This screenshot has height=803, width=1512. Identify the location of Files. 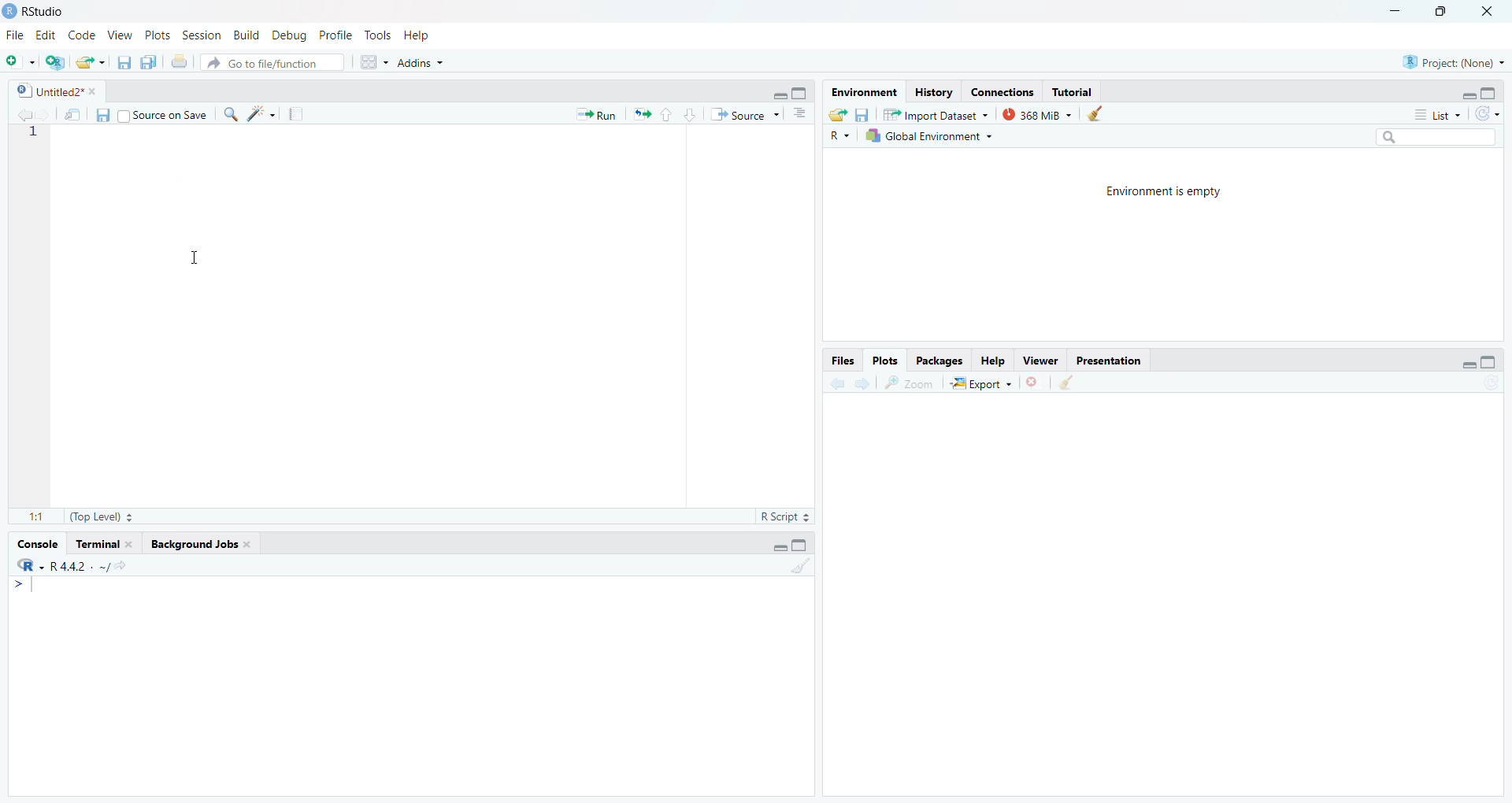
(834, 361).